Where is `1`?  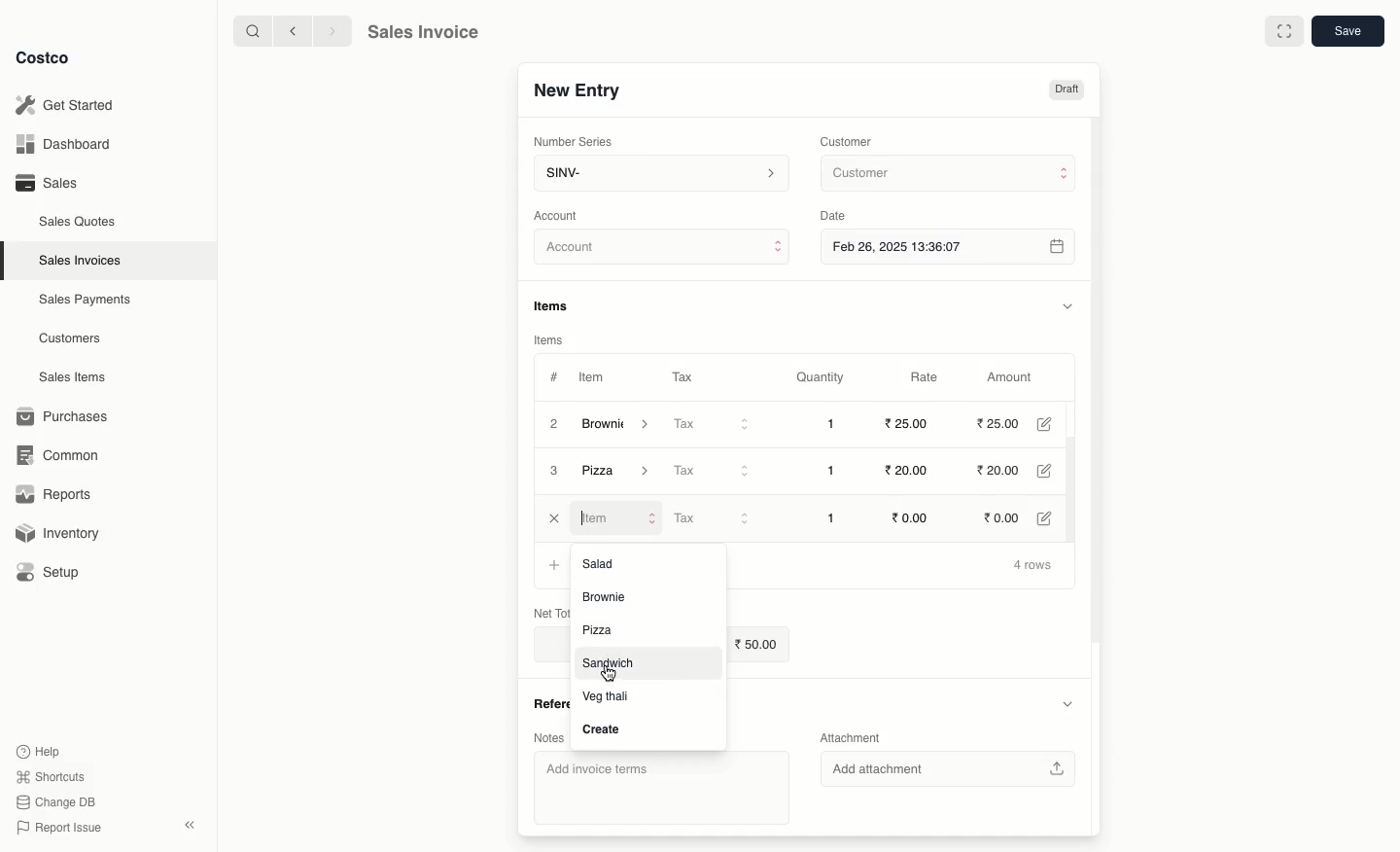 1 is located at coordinates (836, 471).